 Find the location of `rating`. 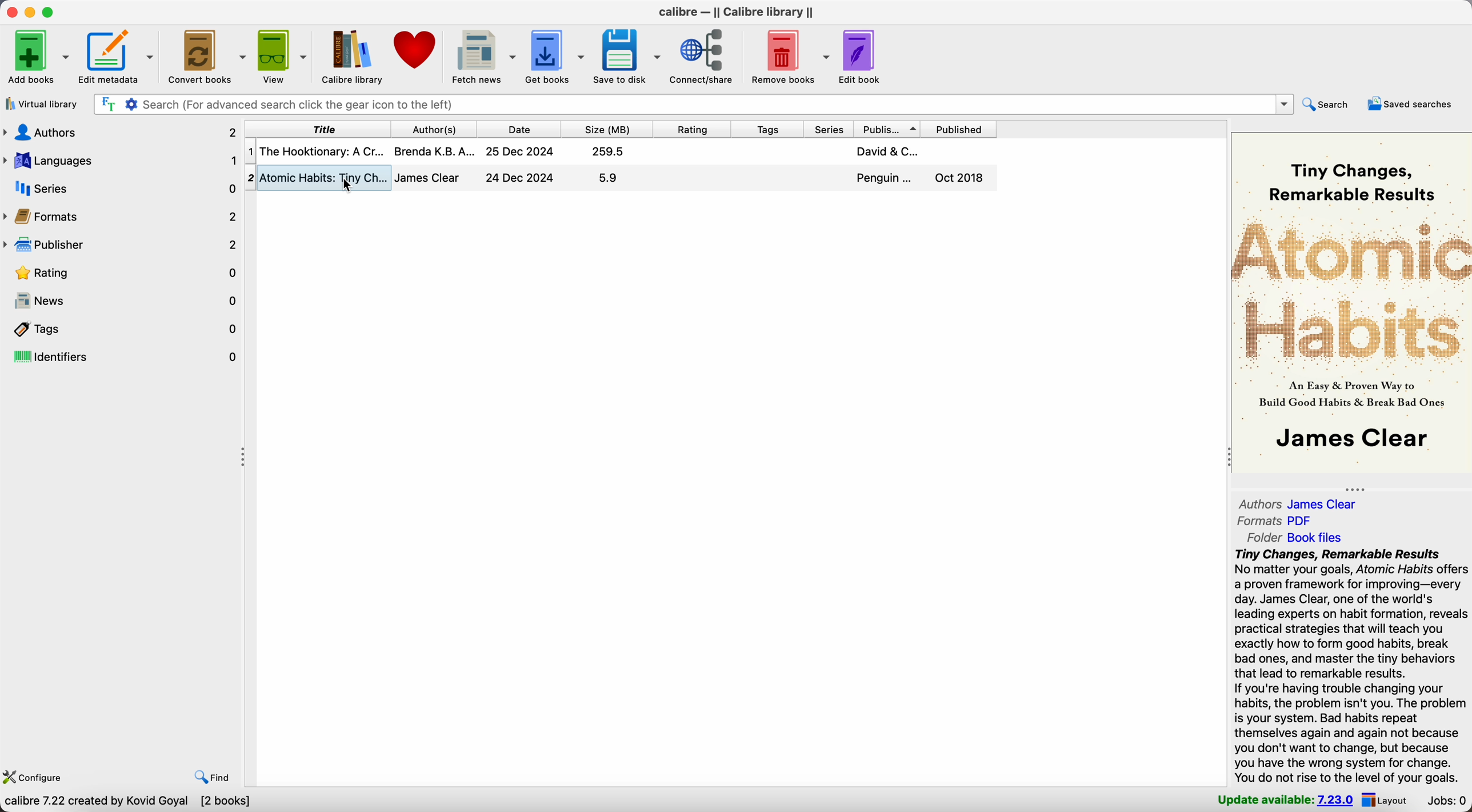

rating is located at coordinates (122, 272).